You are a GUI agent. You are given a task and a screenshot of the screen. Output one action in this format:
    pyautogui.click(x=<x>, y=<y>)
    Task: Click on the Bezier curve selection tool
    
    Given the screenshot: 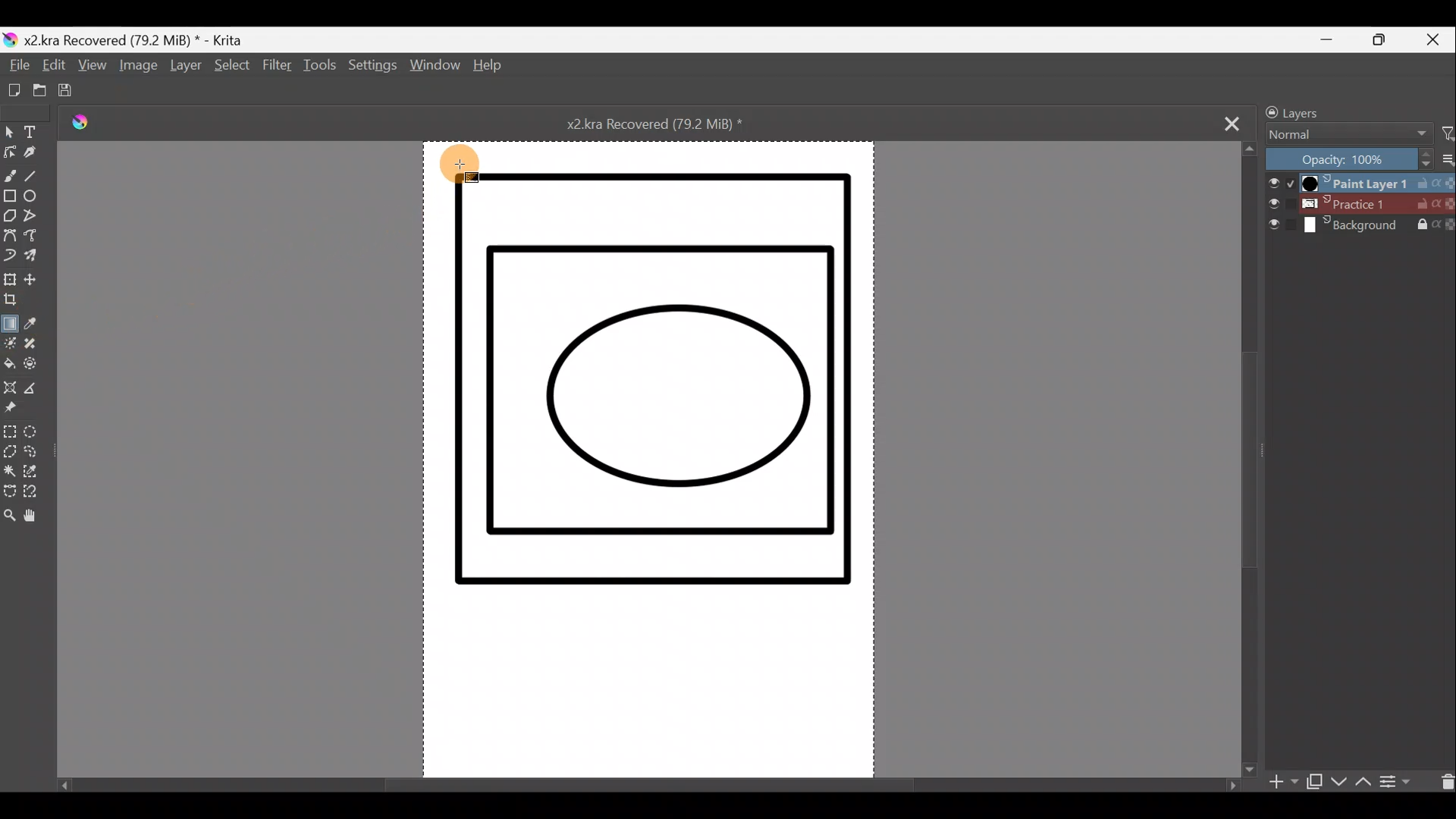 What is the action you would take?
    pyautogui.click(x=9, y=493)
    